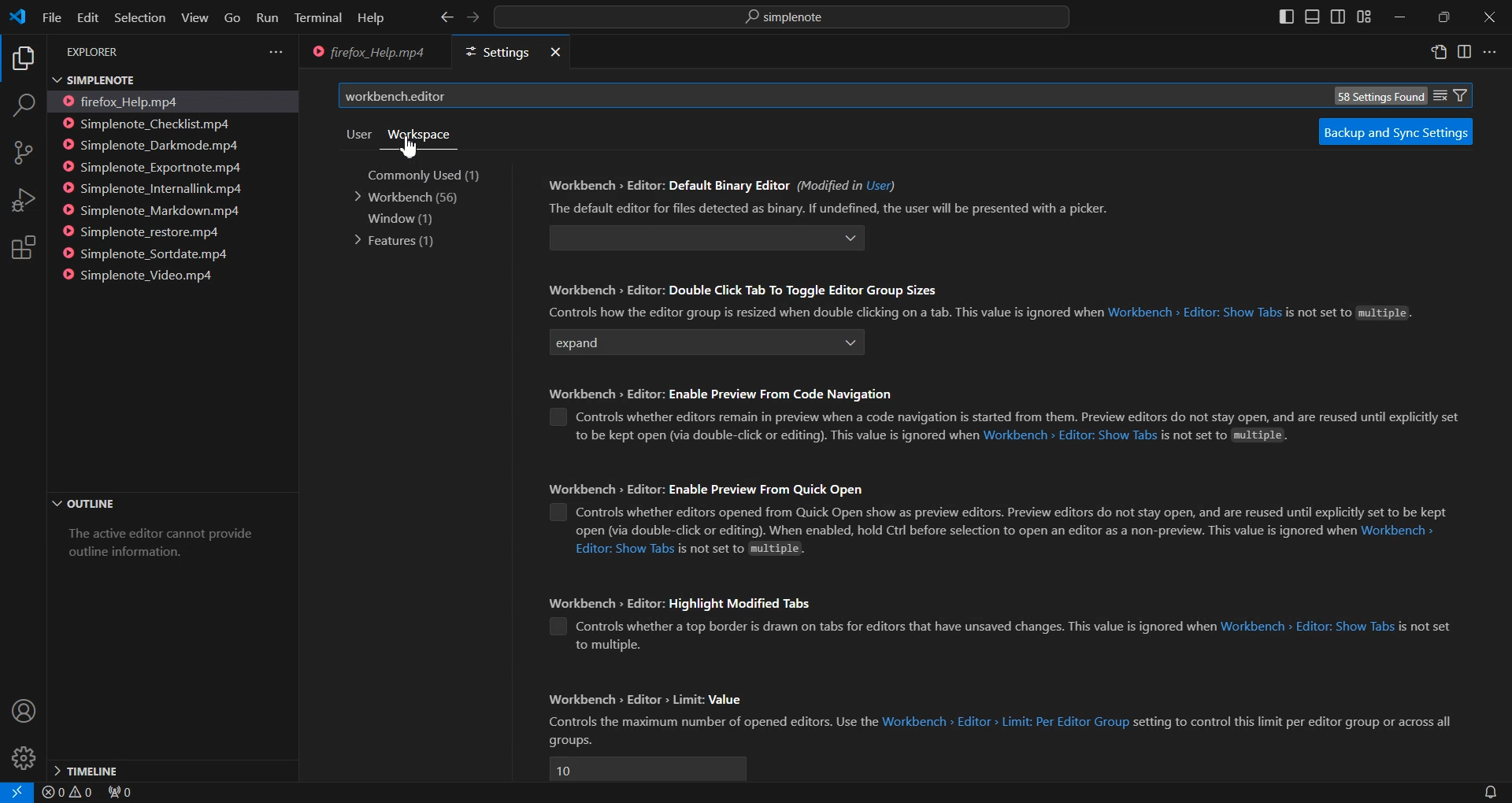 The height and width of the screenshot is (803, 1512). I want to click on Terminal, so click(318, 19).